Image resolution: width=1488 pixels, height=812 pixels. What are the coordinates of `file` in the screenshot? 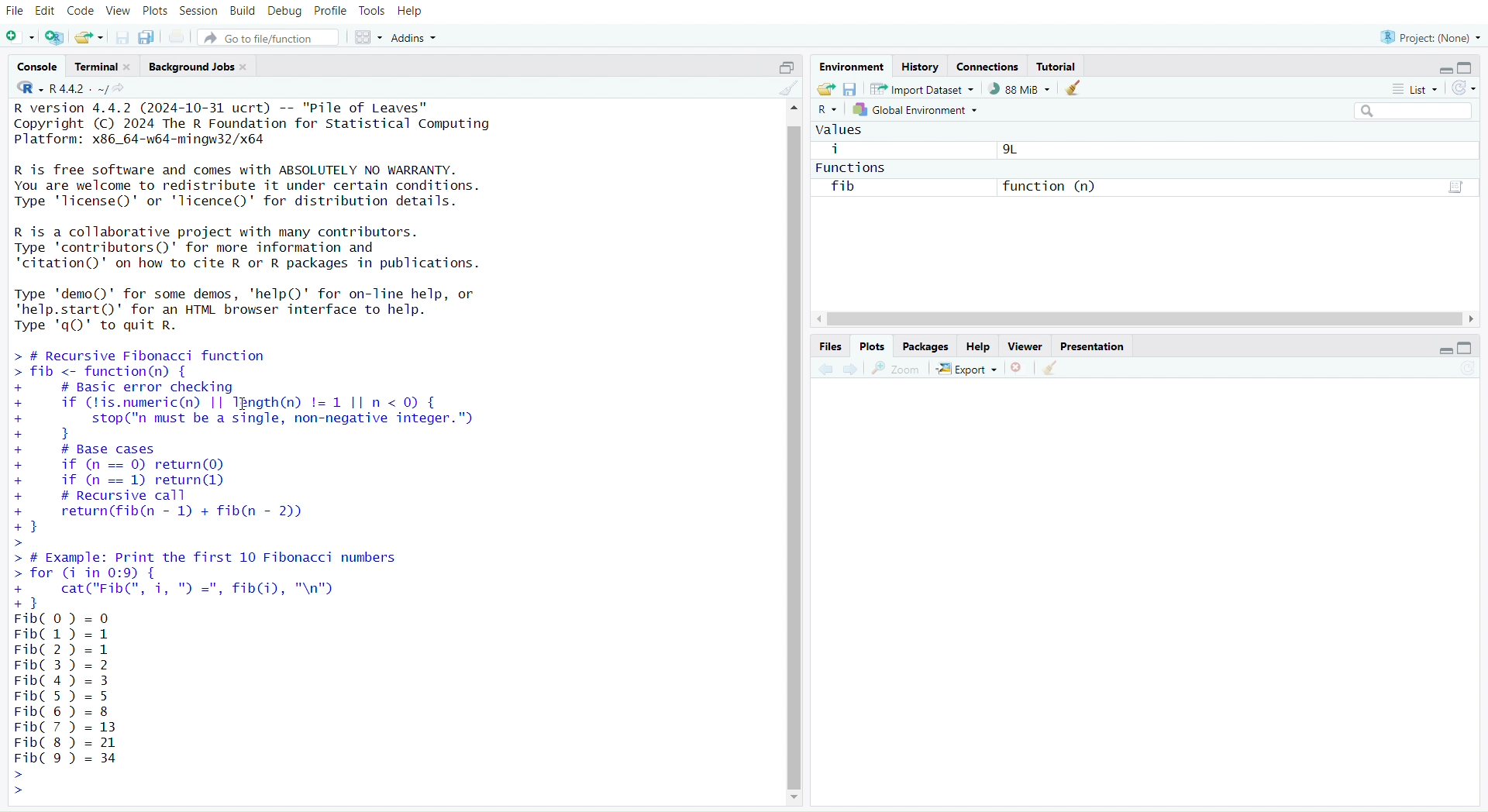 It's located at (15, 12).